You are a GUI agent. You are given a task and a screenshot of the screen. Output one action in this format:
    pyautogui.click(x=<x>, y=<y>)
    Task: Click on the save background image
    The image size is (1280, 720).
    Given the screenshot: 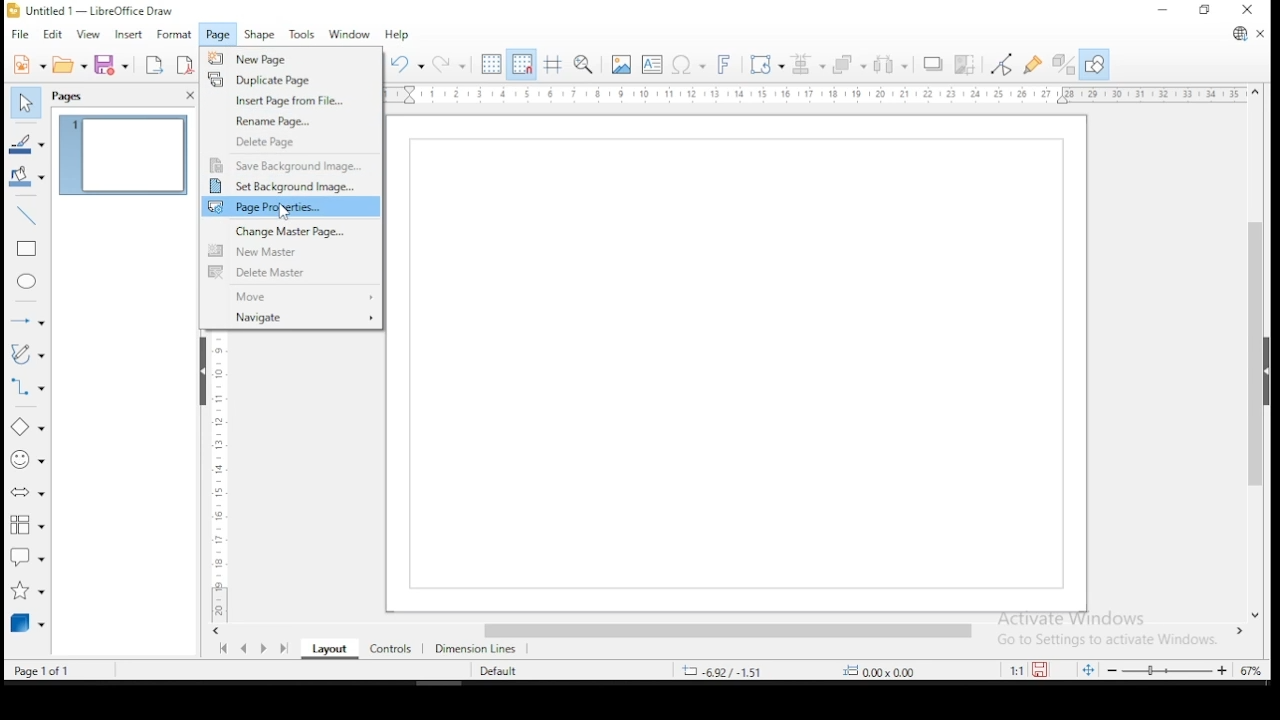 What is the action you would take?
    pyautogui.click(x=291, y=165)
    